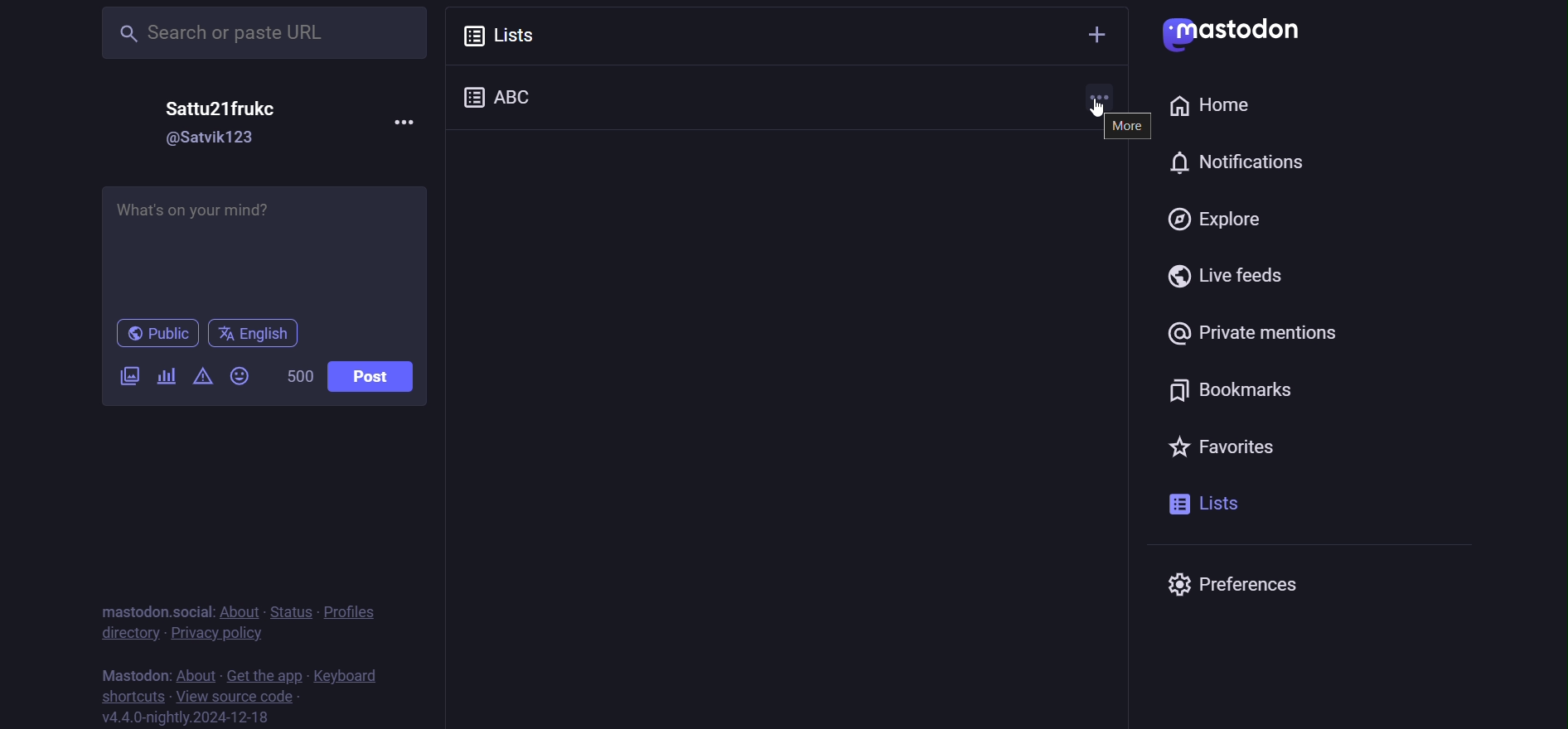 Image resolution: width=1568 pixels, height=729 pixels. I want to click on favorites, so click(1219, 444).